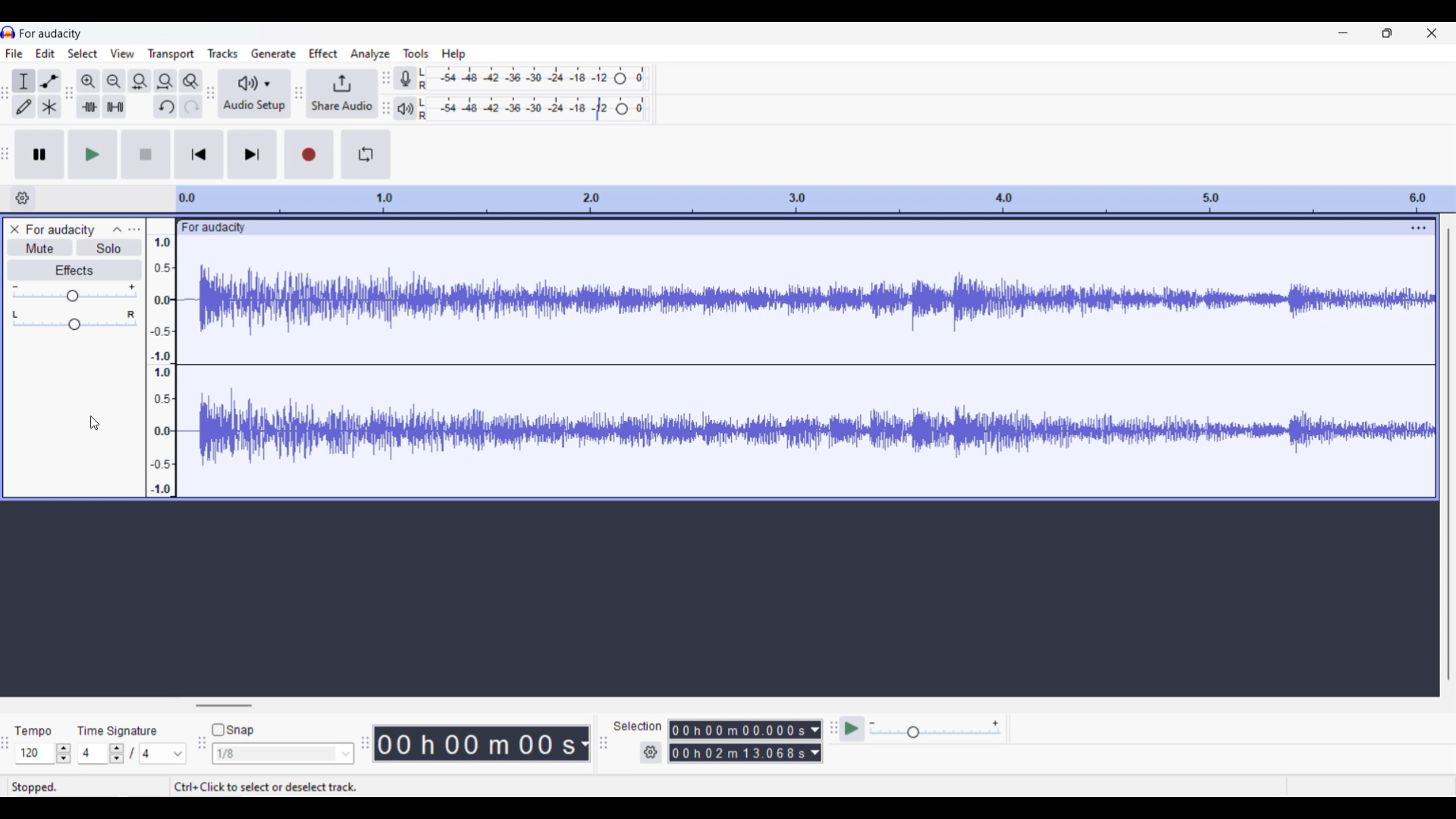 The width and height of the screenshot is (1456, 819). I want to click on Envelop tool, so click(50, 81).